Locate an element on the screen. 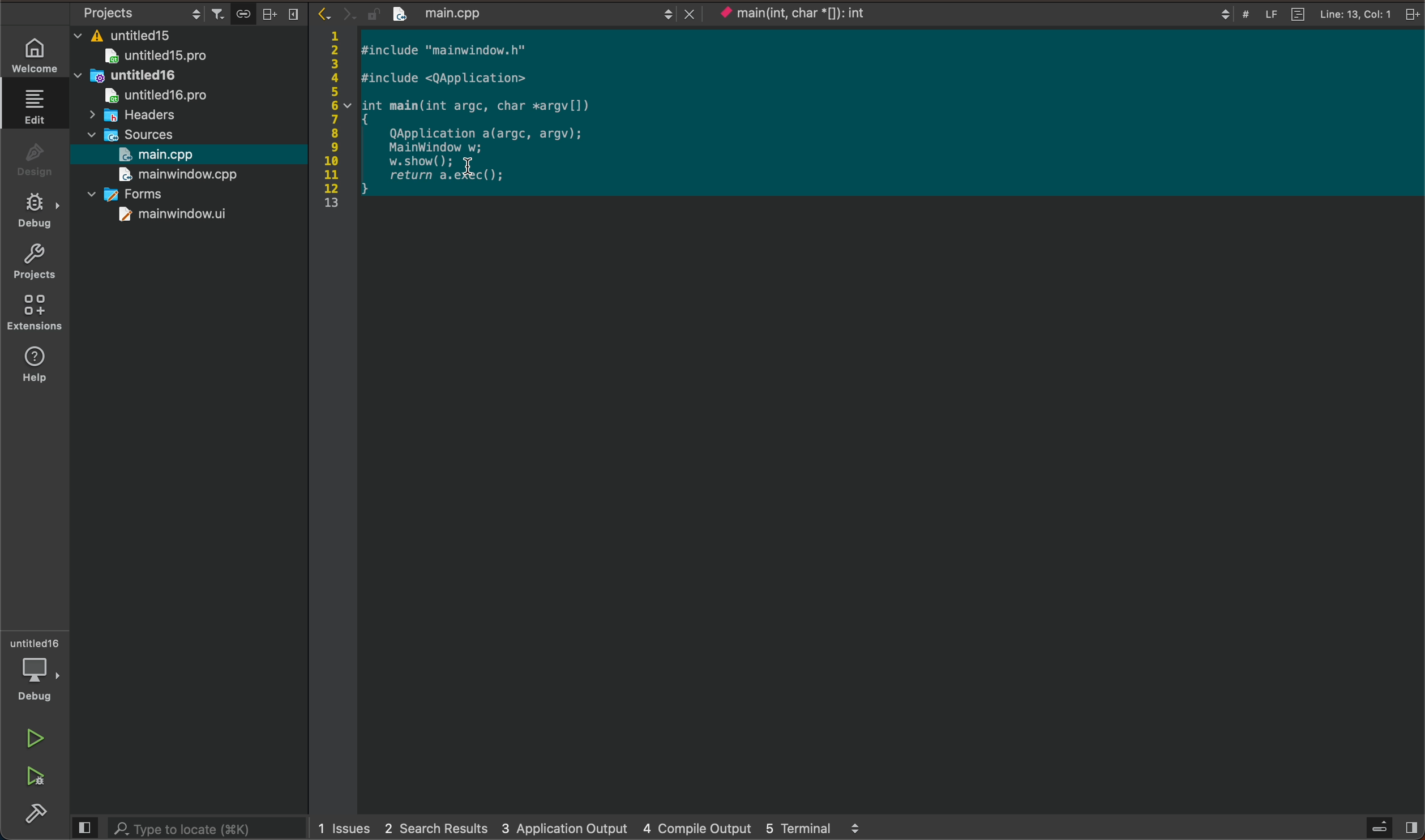 Image resolution: width=1425 pixels, height=840 pixels. split is located at coordinates (268, 13).